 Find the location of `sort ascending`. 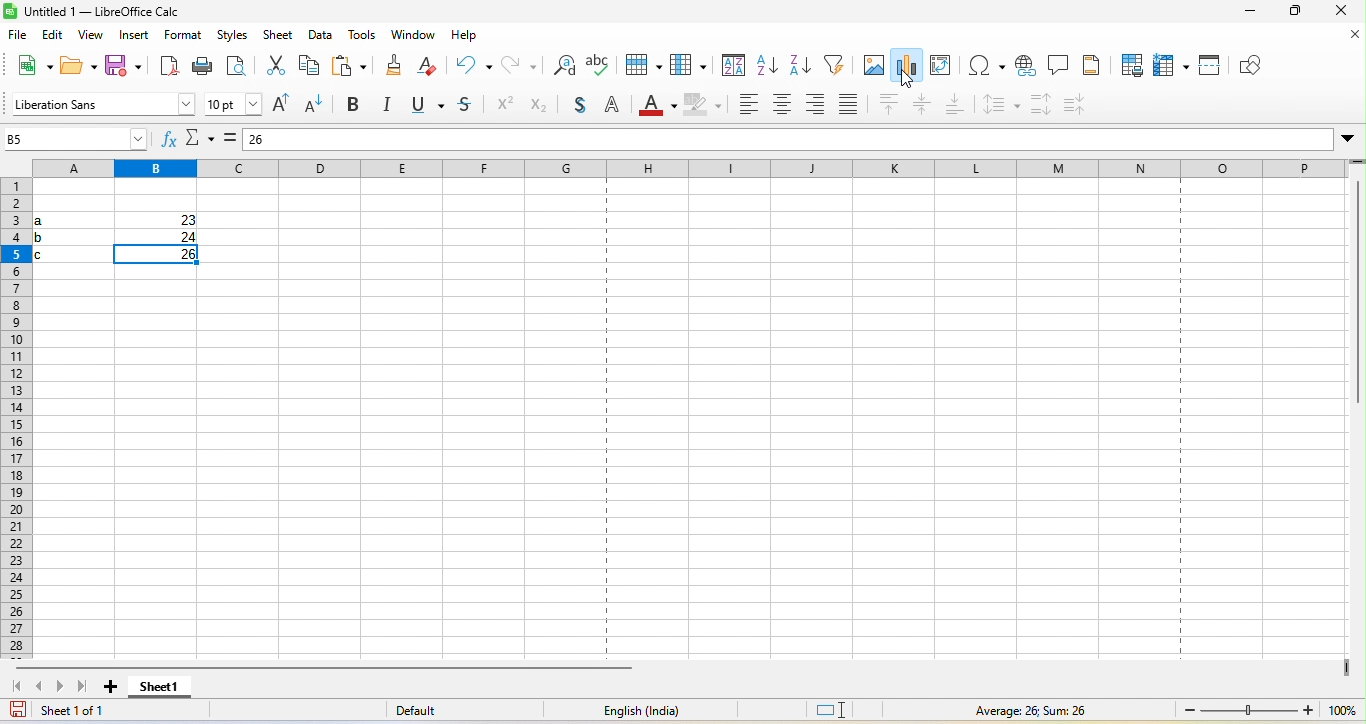

sort ascending is located at coordinates (768, 66).